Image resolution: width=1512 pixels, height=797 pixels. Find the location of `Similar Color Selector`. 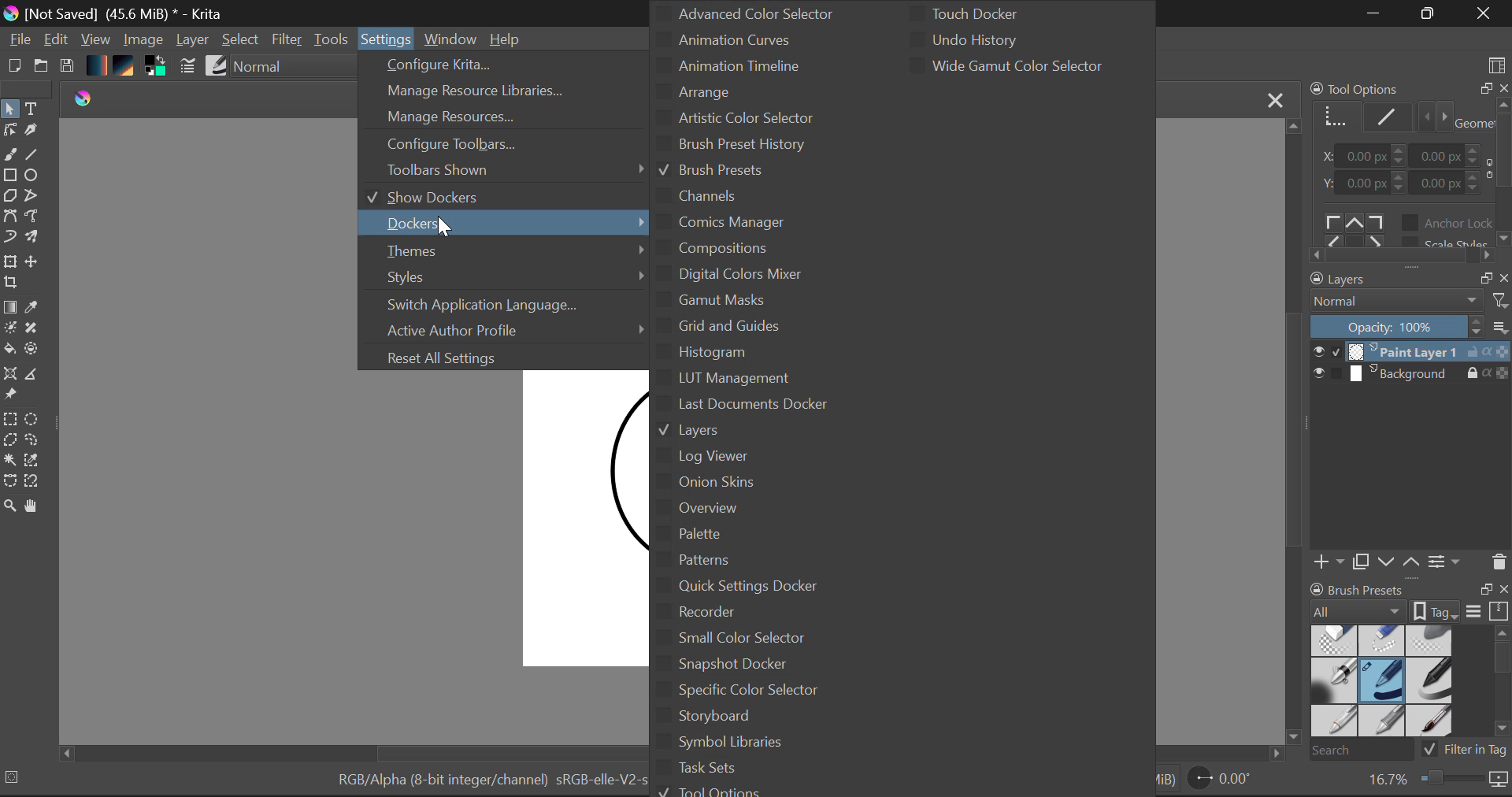

Similar Color Selector is located at coordinates (35, 462).